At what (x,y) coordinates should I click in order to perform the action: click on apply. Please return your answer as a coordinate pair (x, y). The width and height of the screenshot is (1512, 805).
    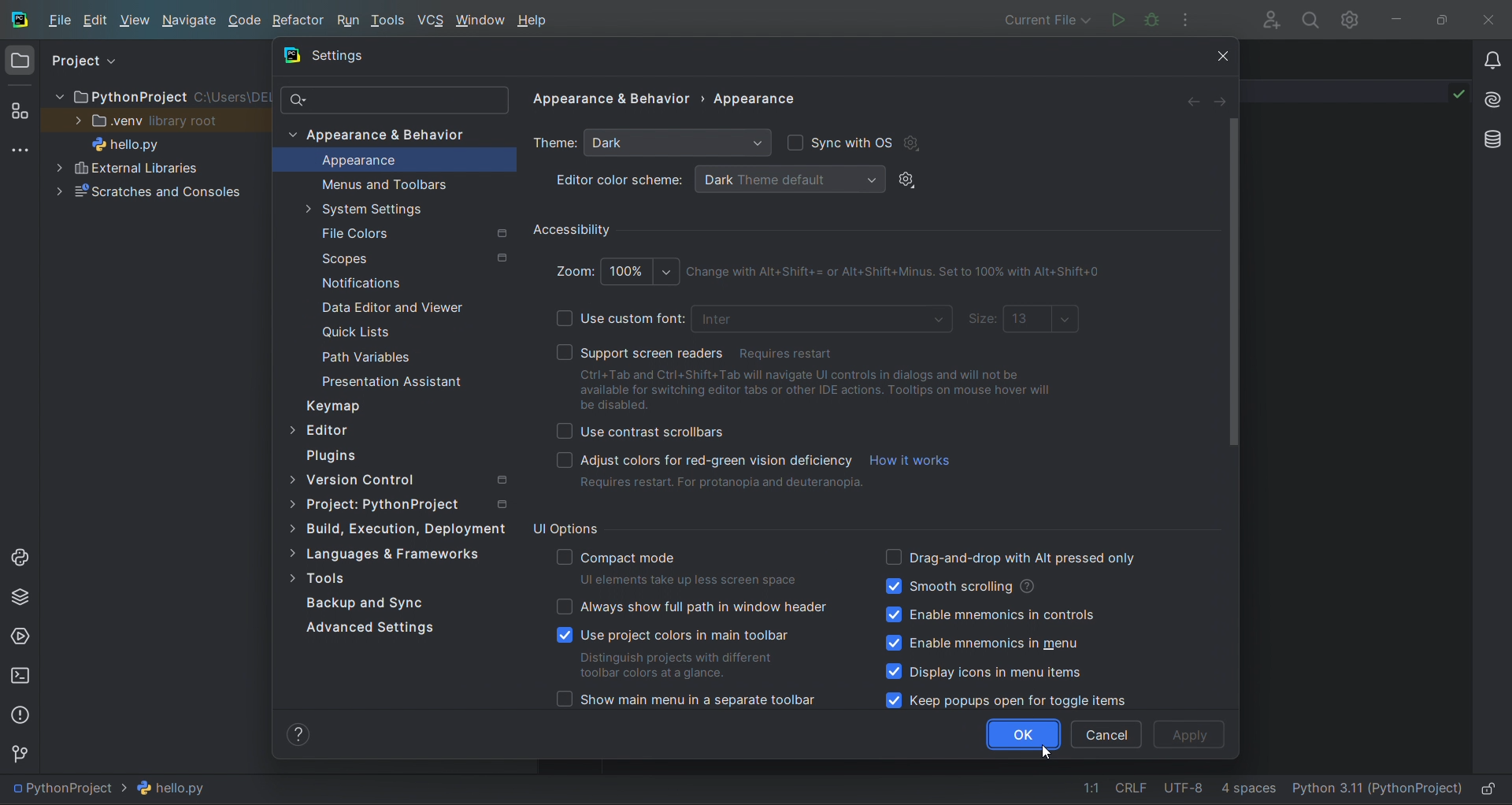
    Looking at the image, I should click on (1191, 733).